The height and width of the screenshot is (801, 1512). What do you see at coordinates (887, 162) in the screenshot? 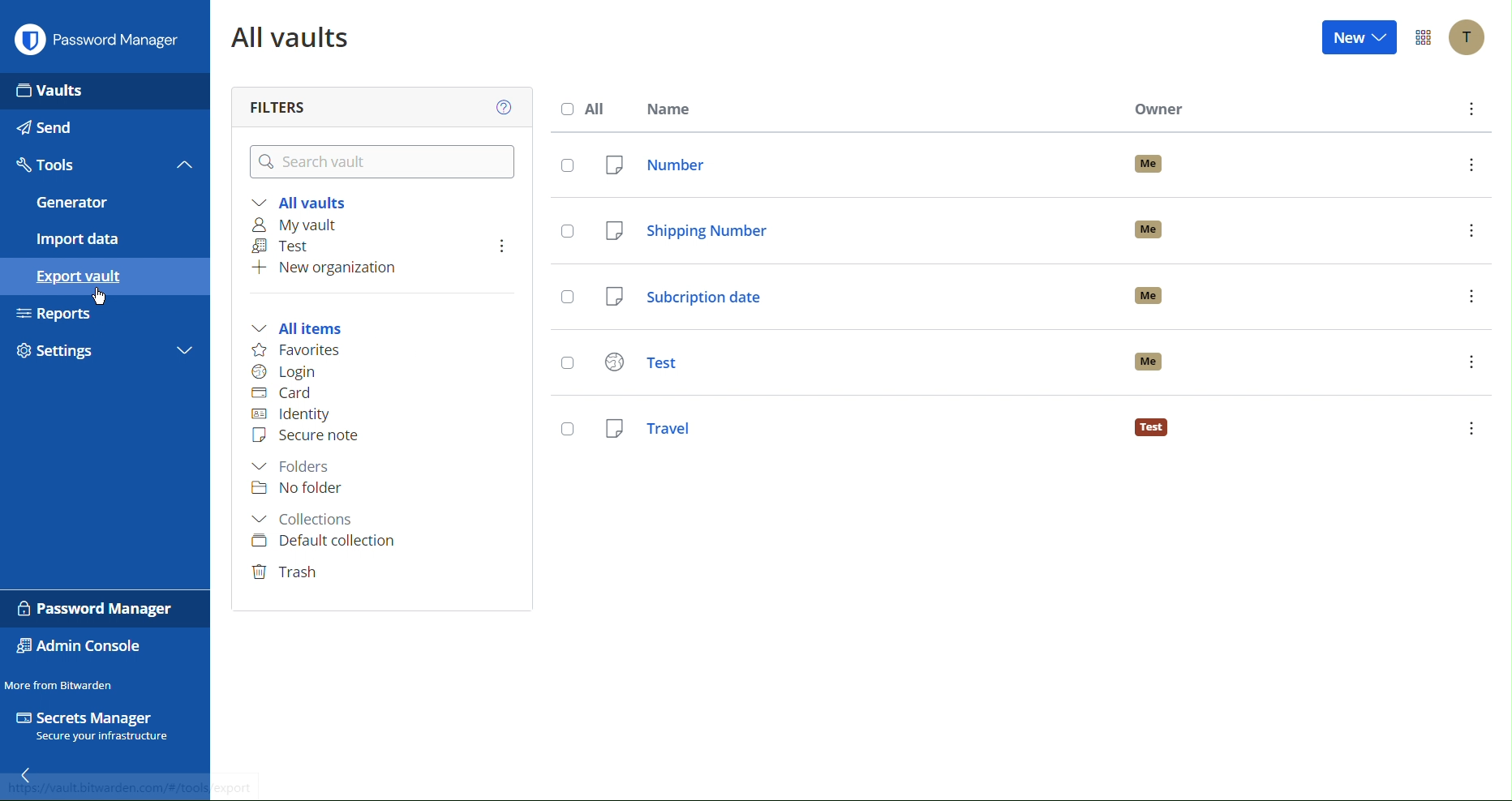
I see `Number` at bounding box center [887, 162].